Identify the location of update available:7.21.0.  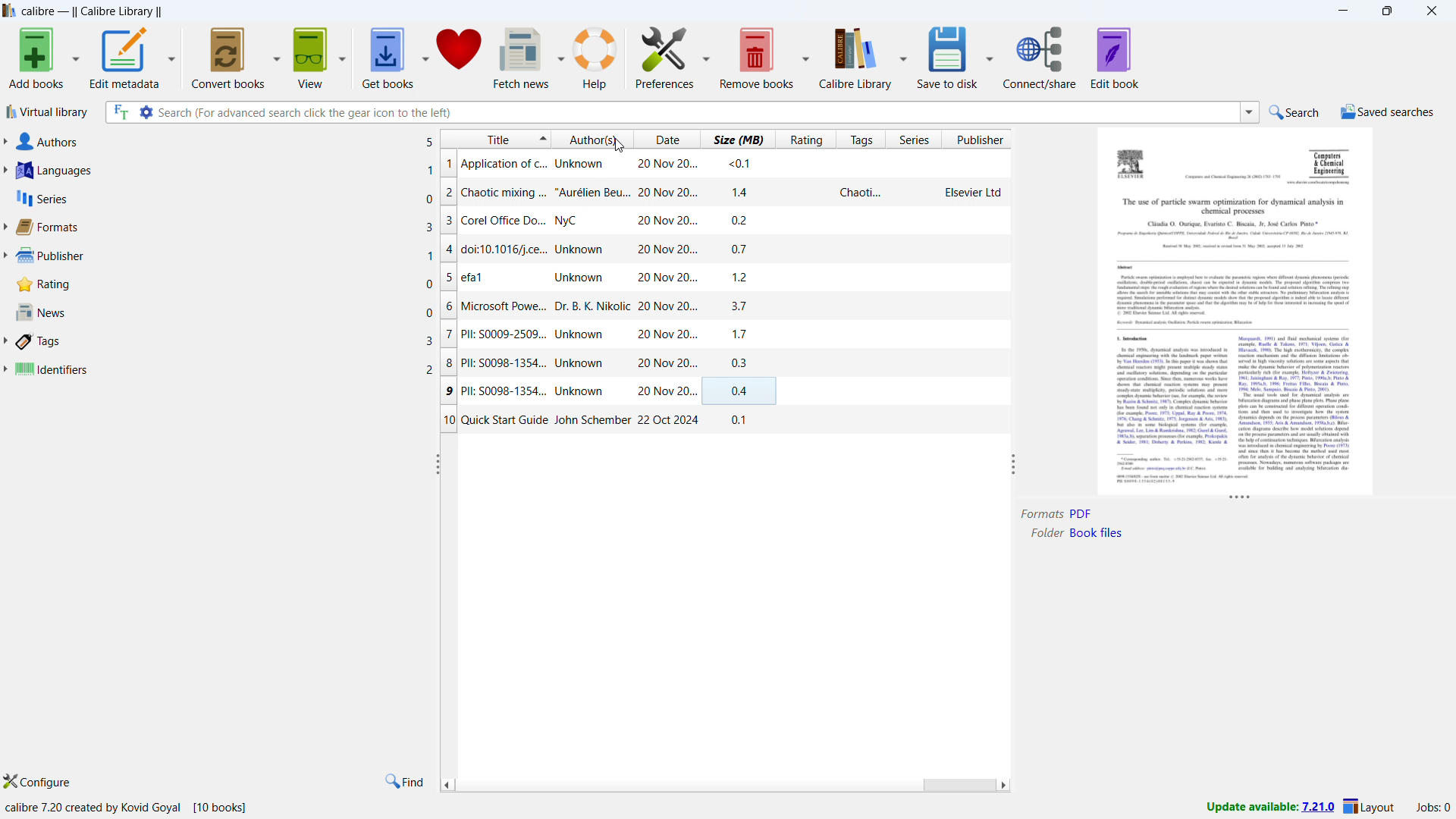
(1268, 808).